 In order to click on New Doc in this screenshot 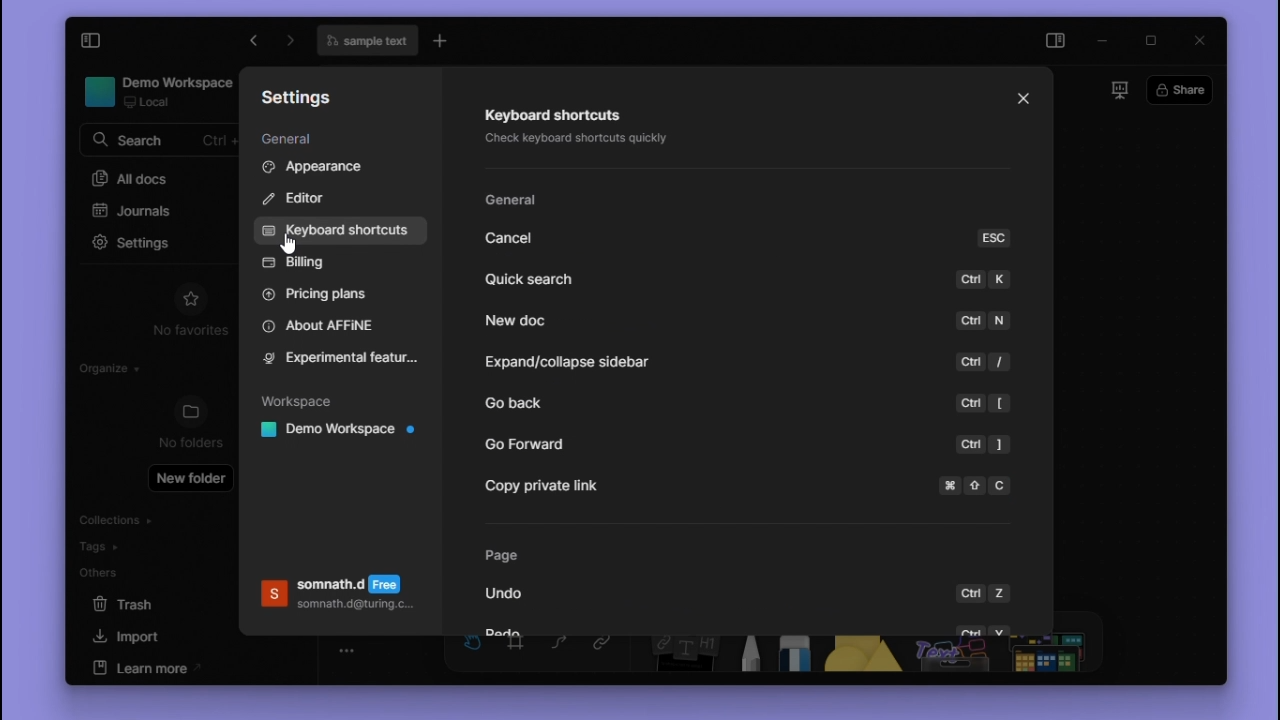, I will do `click(519, 318)`.